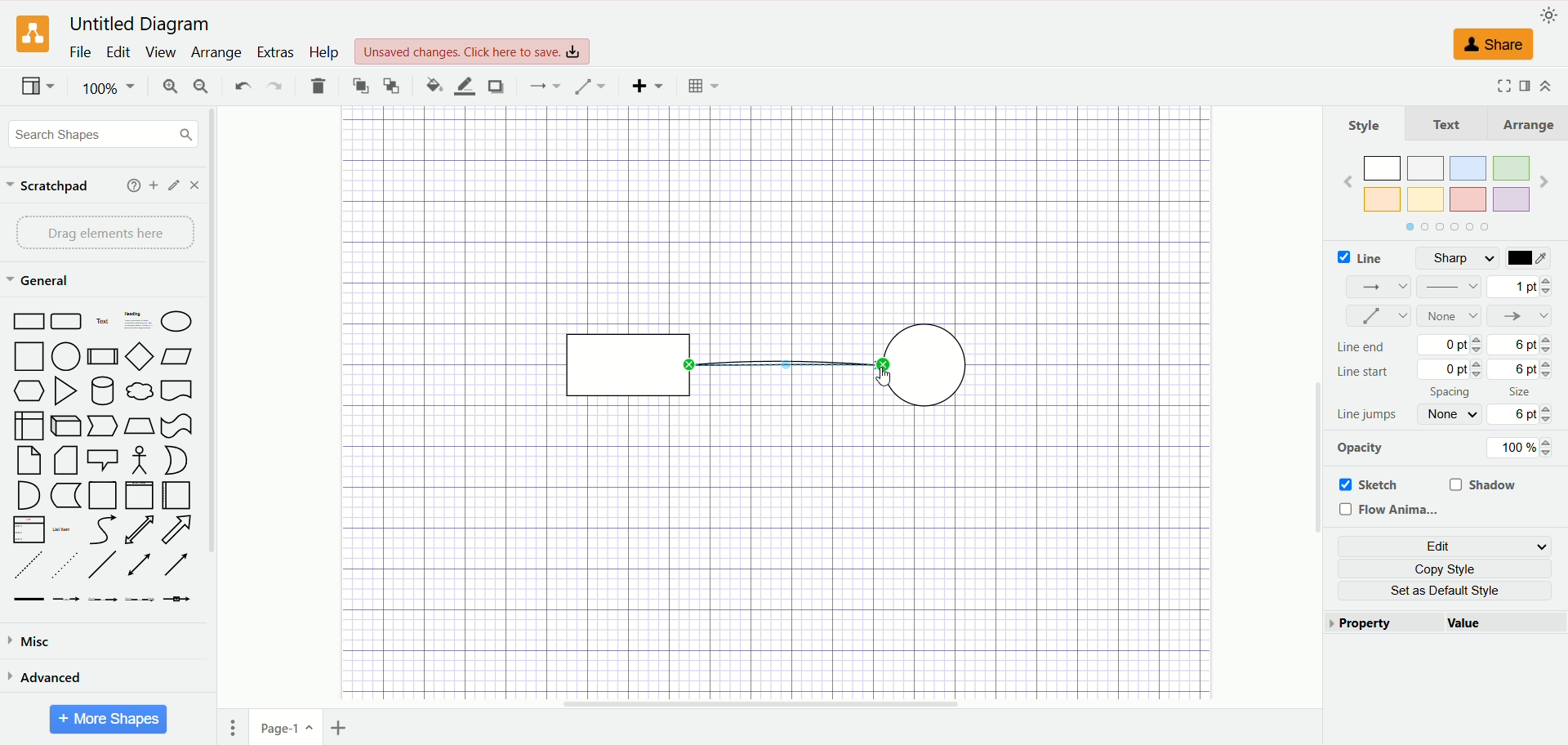 The width and height of the screenshot is (1568, 745). Describe the element at coordinates (1521, 288) in the screenshot. I see `1 pt` at that location.